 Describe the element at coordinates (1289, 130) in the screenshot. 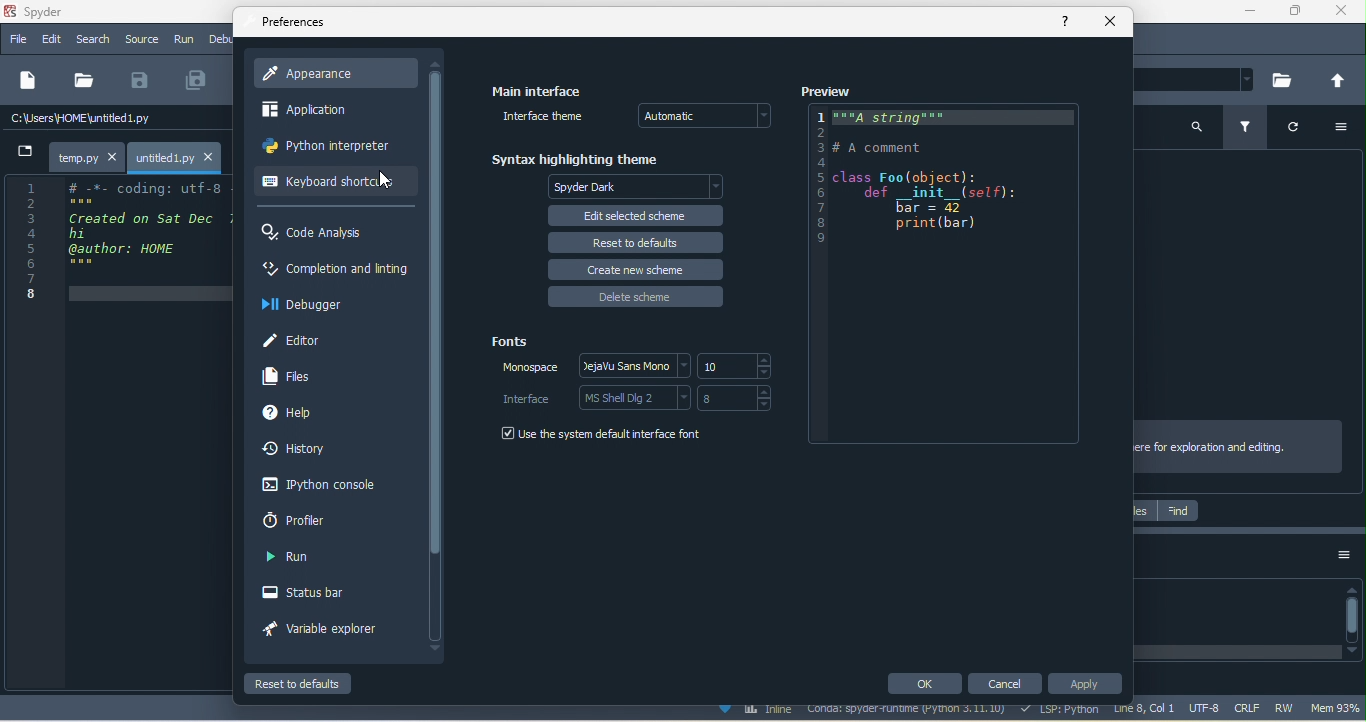

I see `refresh` at that location.